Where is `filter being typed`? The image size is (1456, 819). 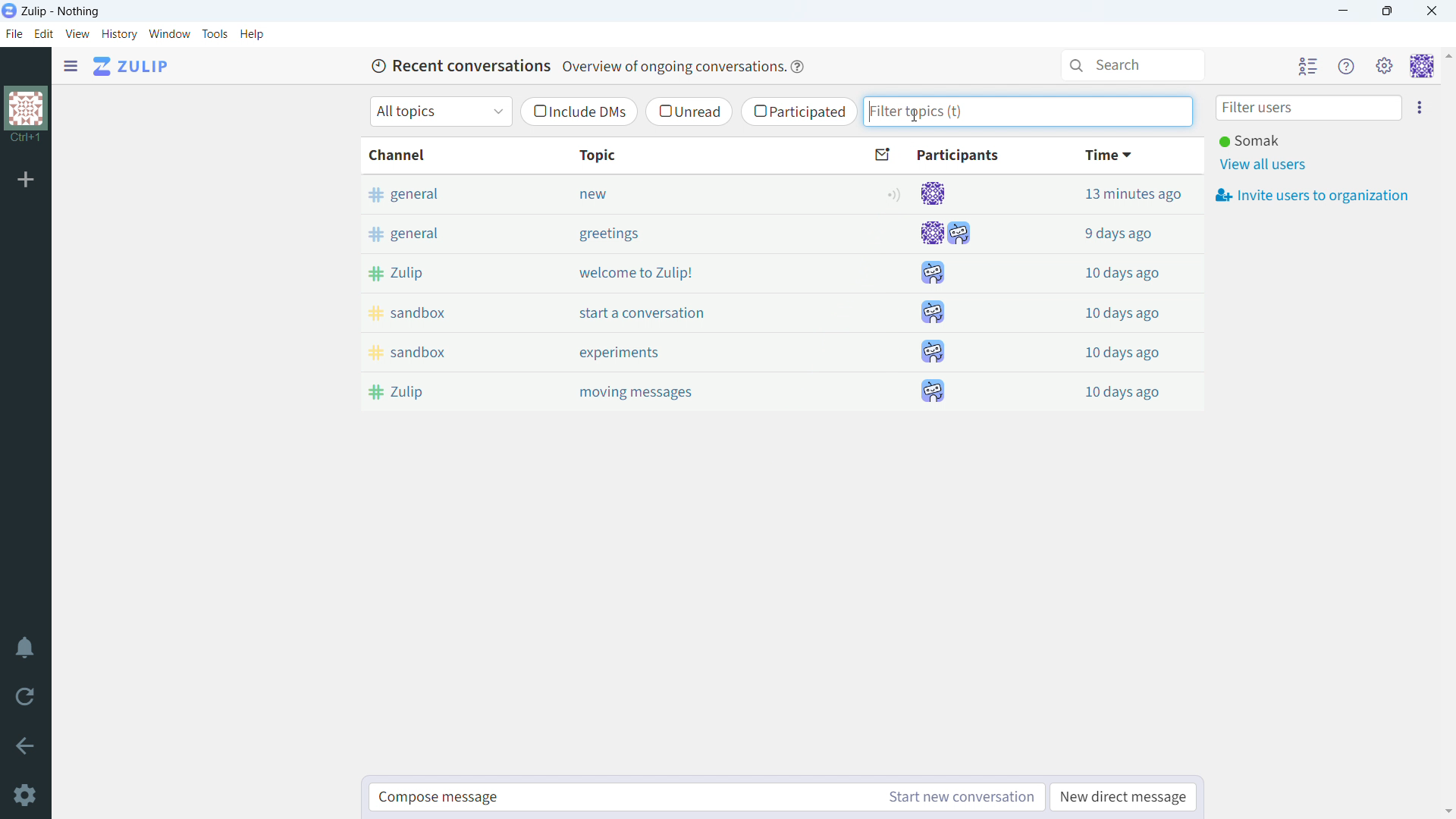
filter being typed is located at coordinates (1028, 111).